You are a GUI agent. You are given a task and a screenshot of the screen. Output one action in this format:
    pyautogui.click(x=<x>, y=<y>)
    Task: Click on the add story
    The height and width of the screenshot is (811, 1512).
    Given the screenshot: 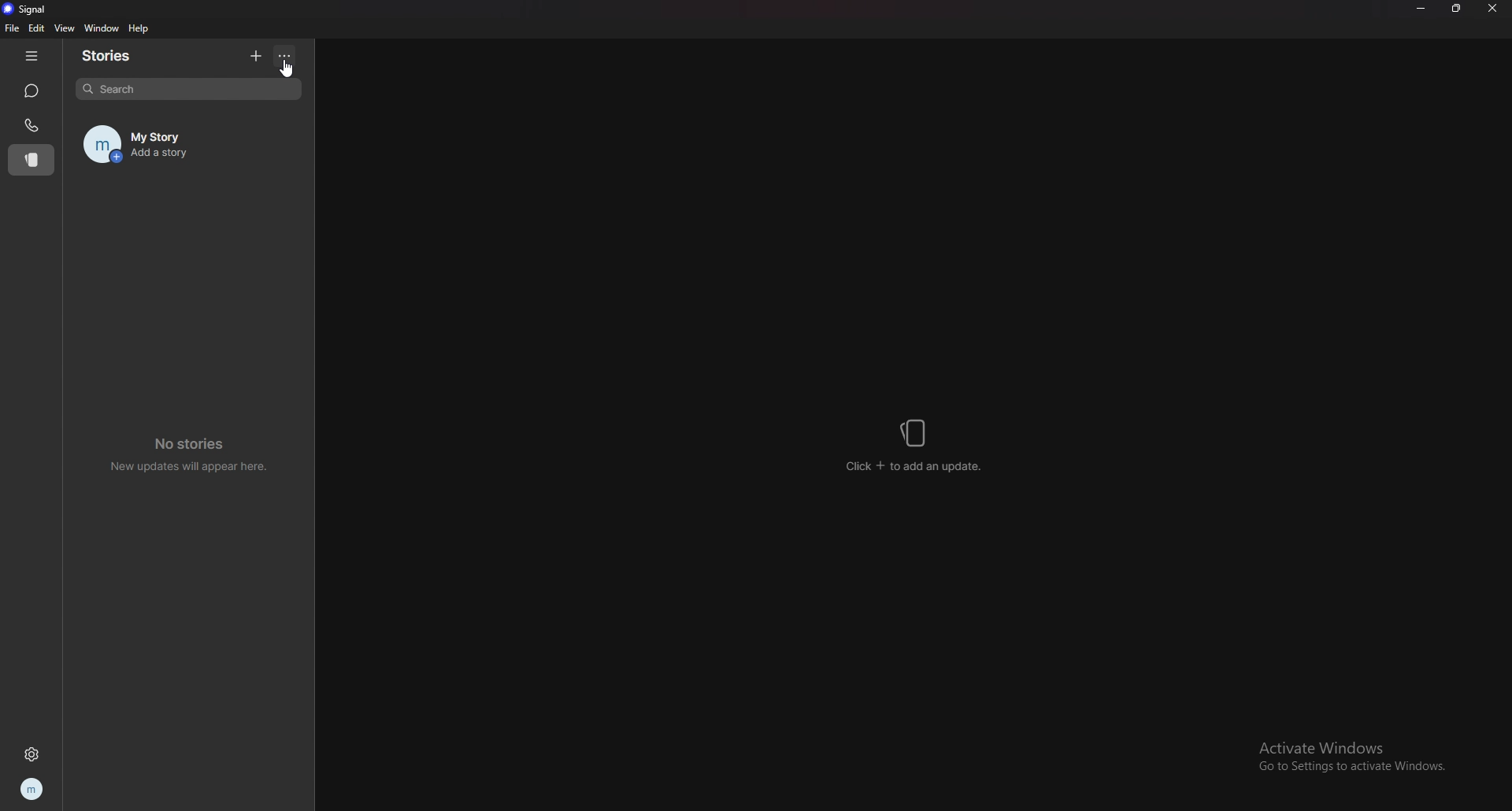 What is the action you would take?
    pyautogui.click(x=254, y=55)
    